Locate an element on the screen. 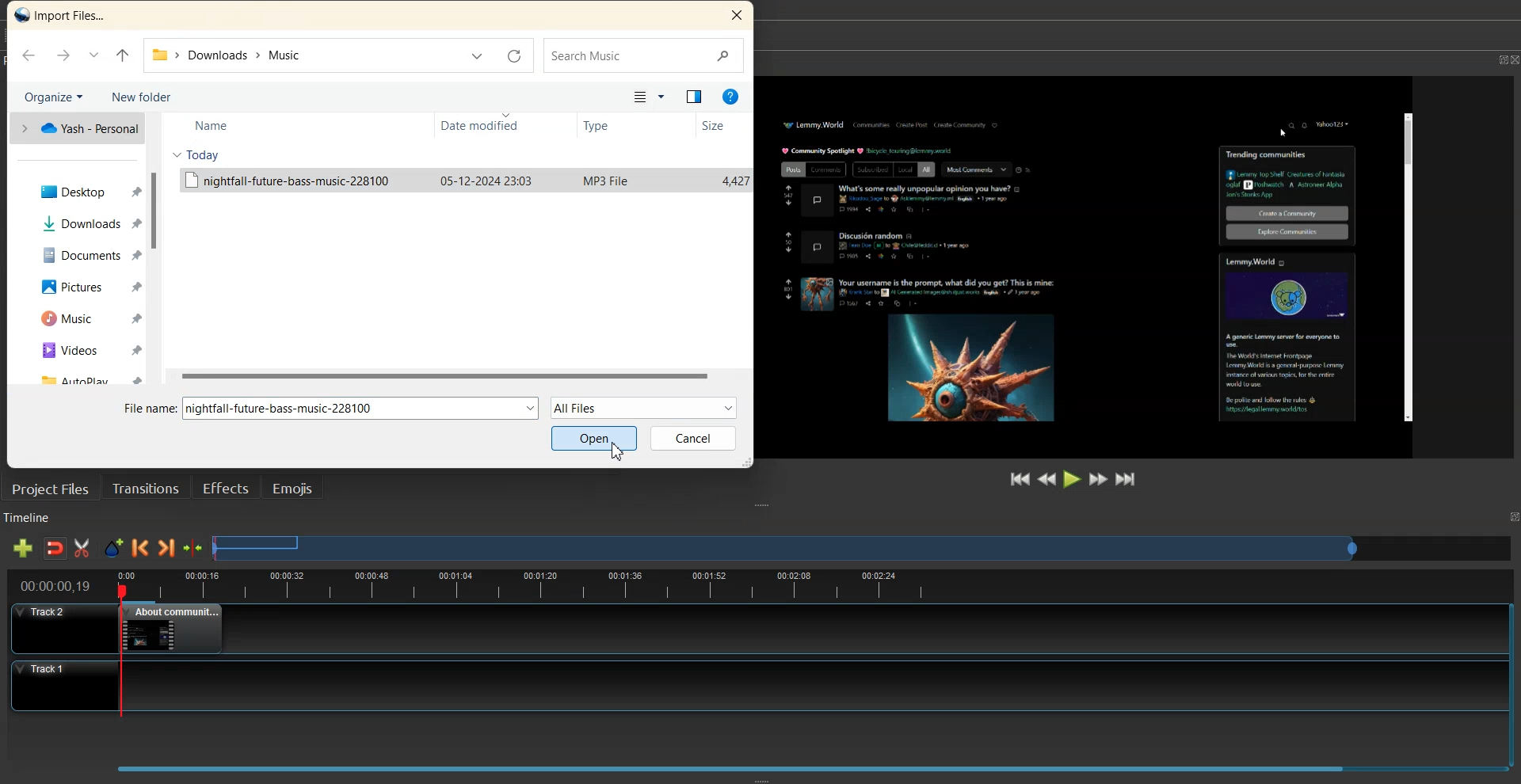 The width and height of the screenshot is (1521, 784). Search Bar is located at coordinates (646, 55).